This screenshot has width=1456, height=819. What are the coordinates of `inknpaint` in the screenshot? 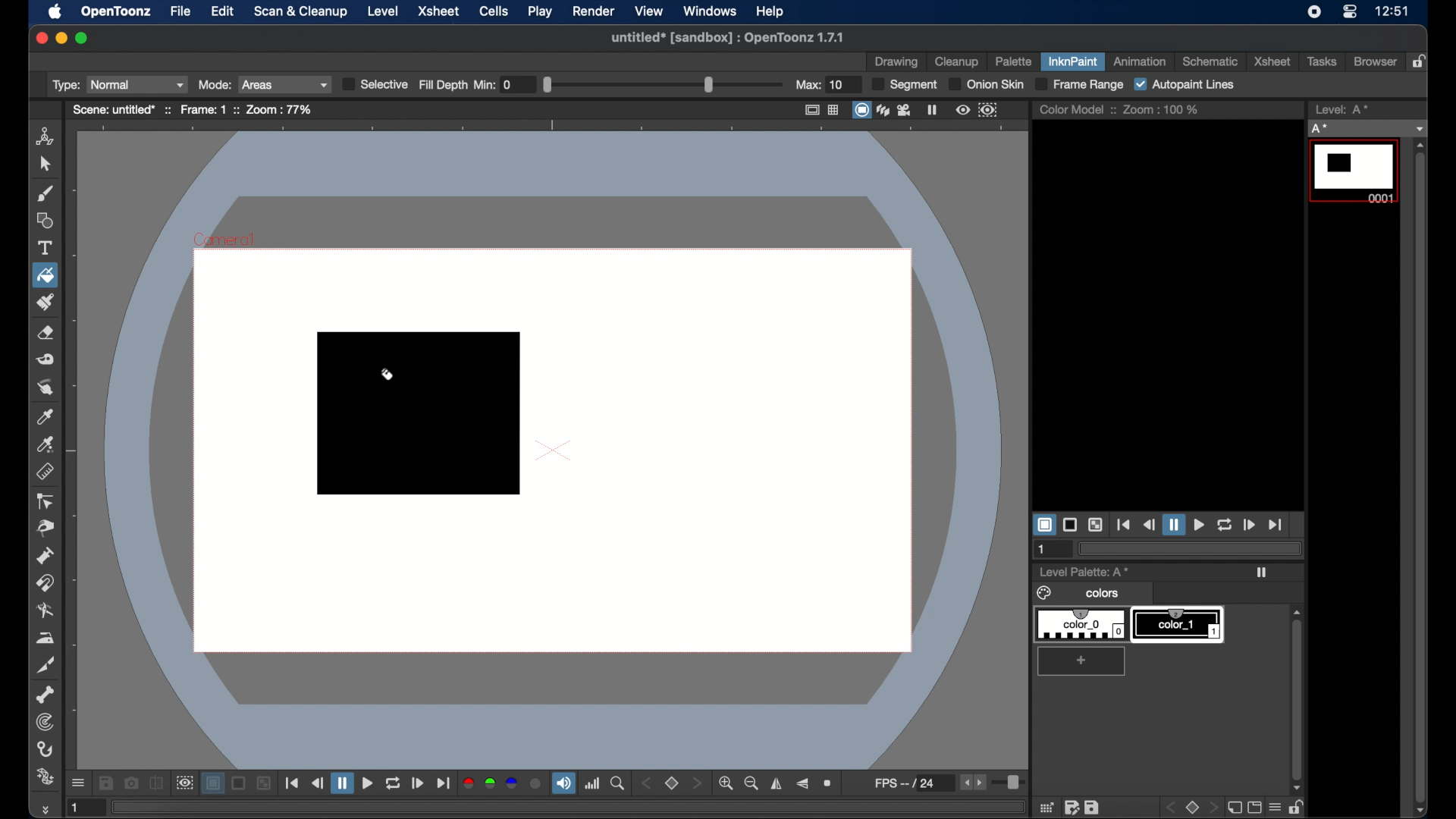 It's located at (1072, 61).